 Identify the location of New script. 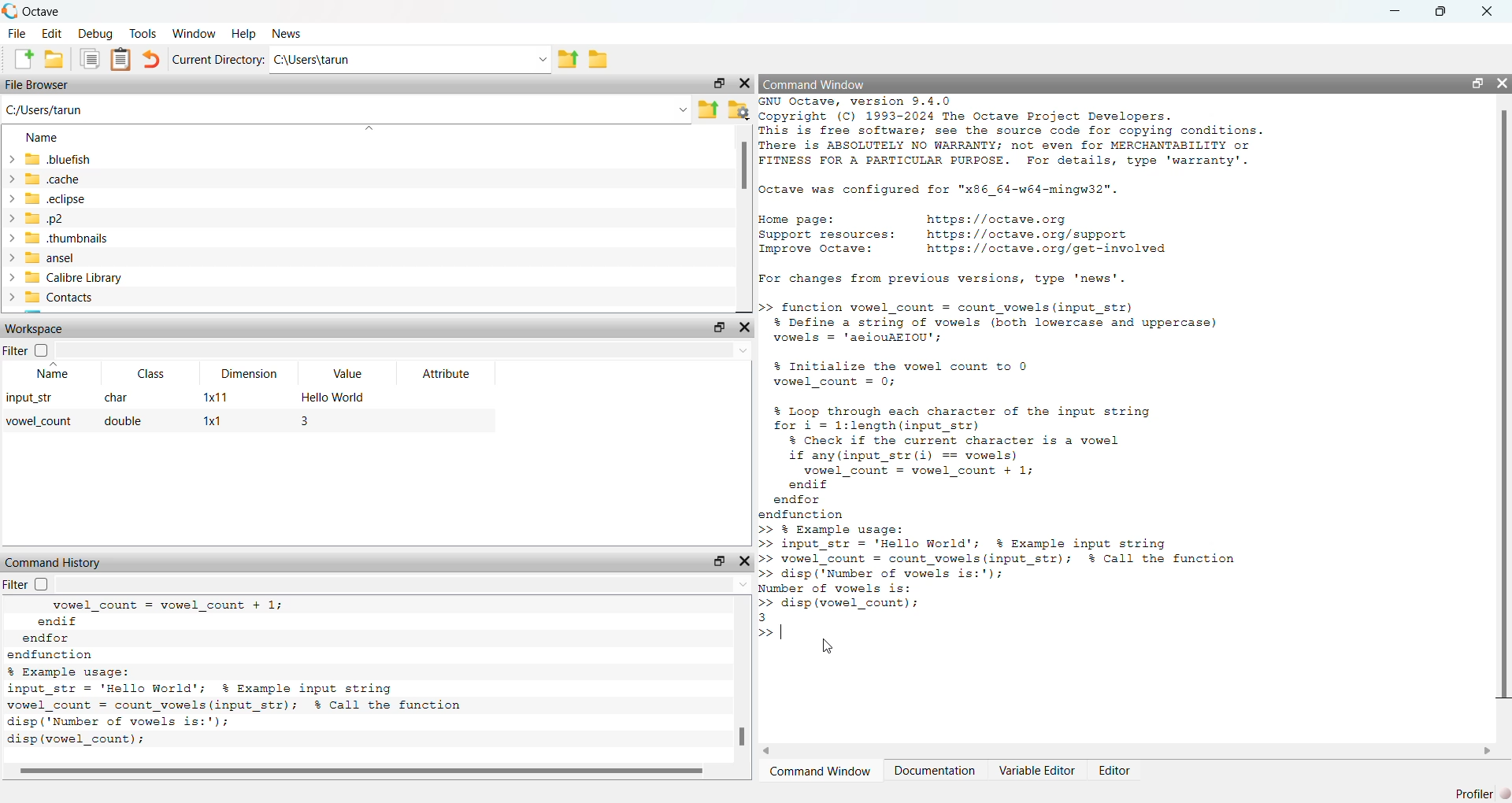
(20, 58).